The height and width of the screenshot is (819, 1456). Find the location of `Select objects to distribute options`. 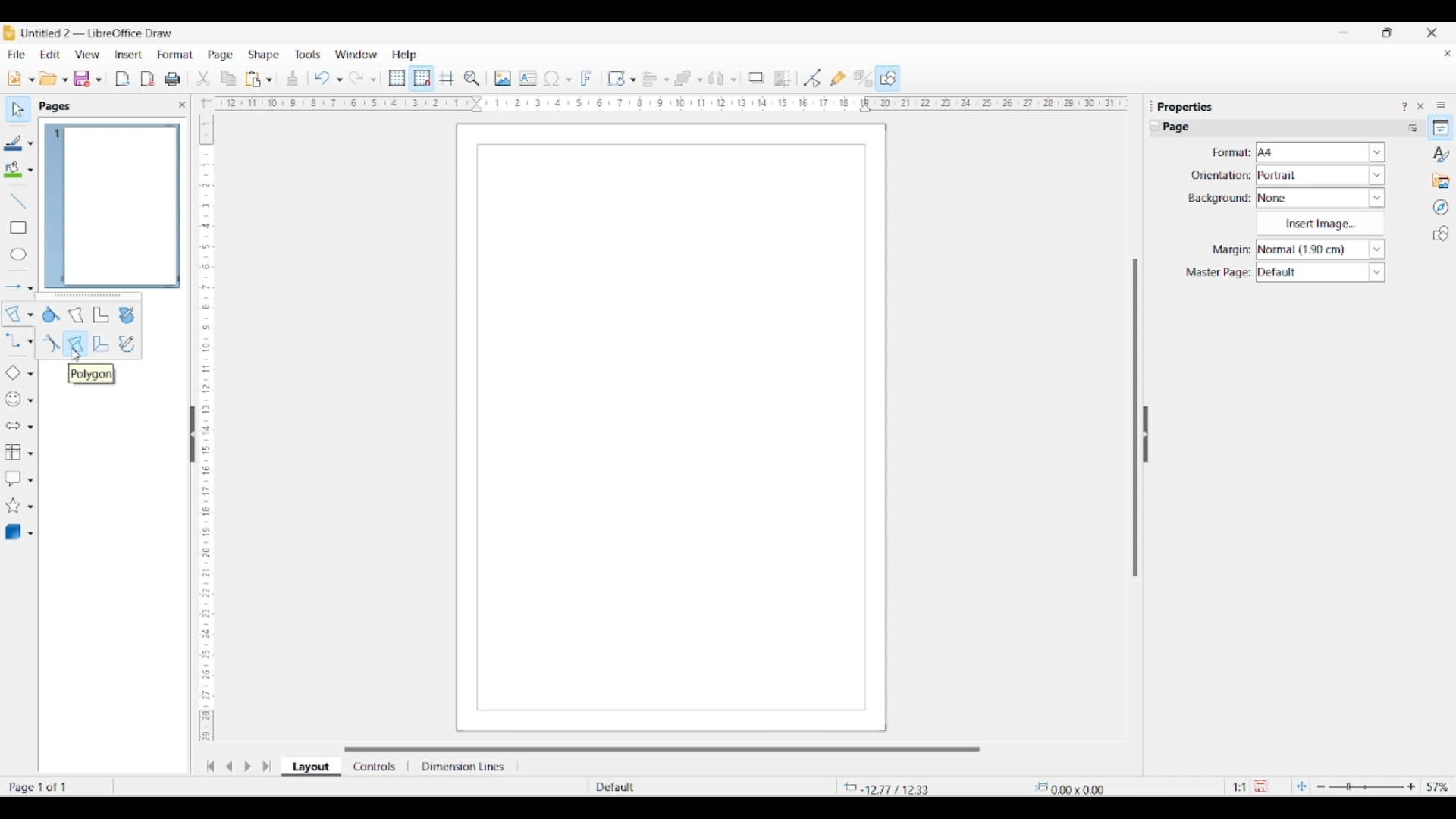

Select objects to distribute options is located at coordinates (733, 80).